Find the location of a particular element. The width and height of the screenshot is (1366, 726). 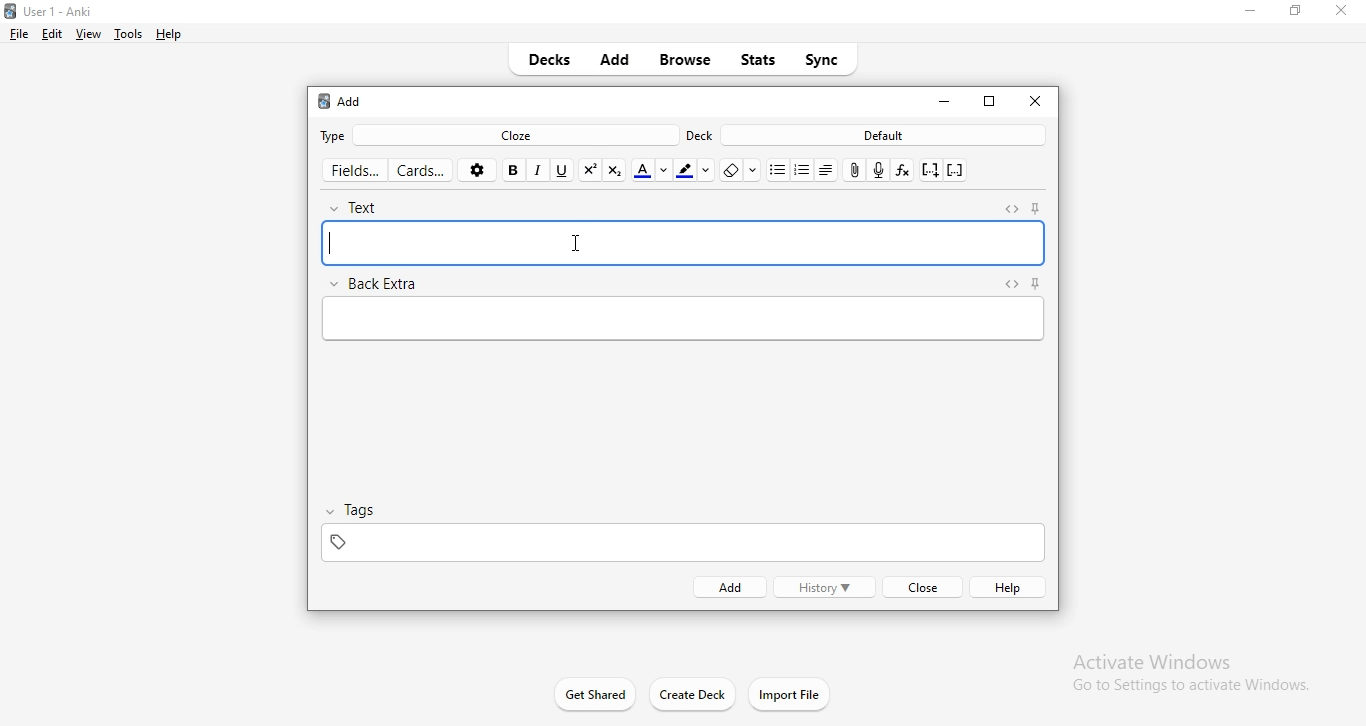

pin is located at coordinates (1041, 207).